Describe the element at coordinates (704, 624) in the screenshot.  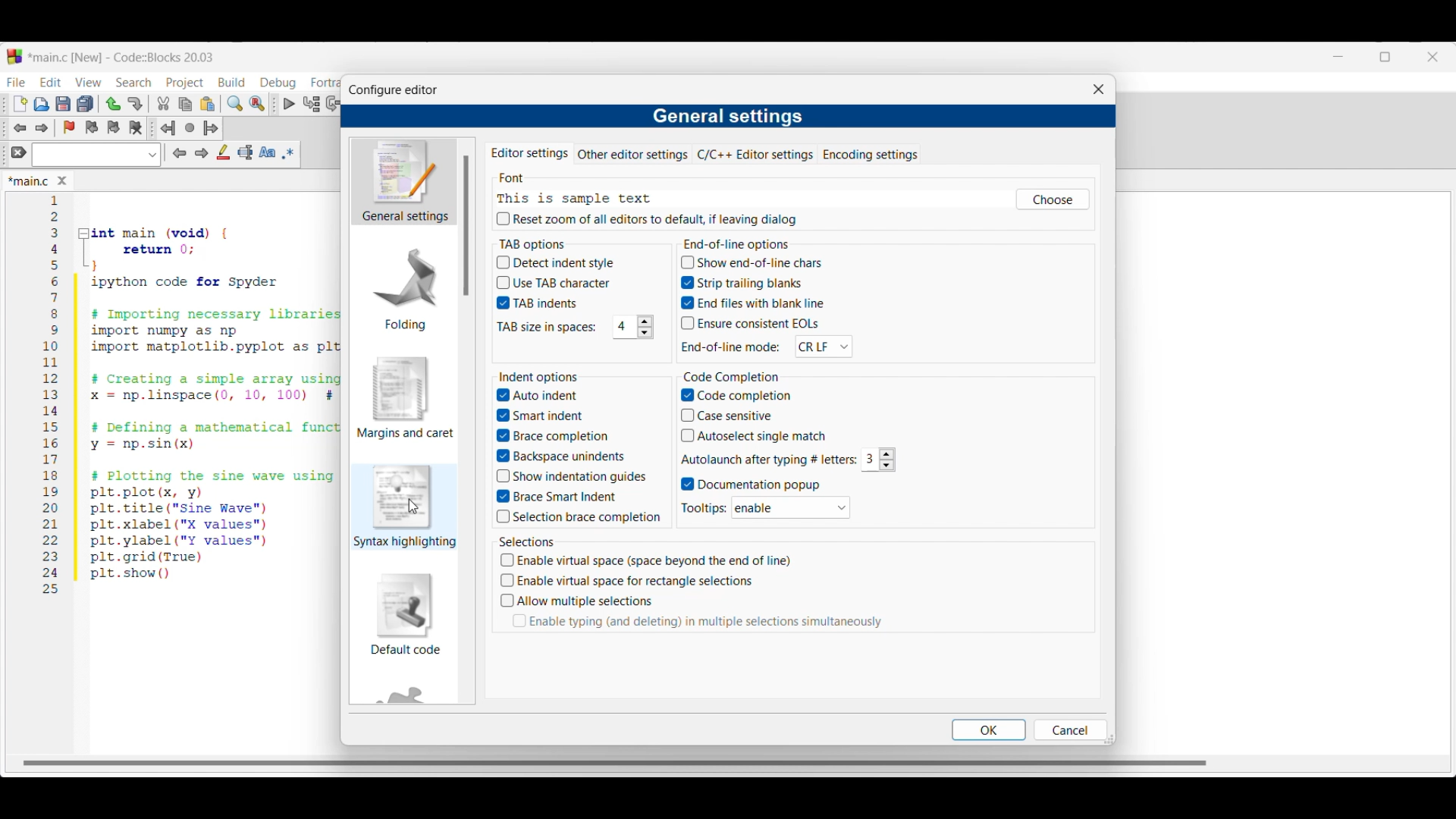
I see `Enable typing (and deleting) in multiple selections simultaneously` at that location.